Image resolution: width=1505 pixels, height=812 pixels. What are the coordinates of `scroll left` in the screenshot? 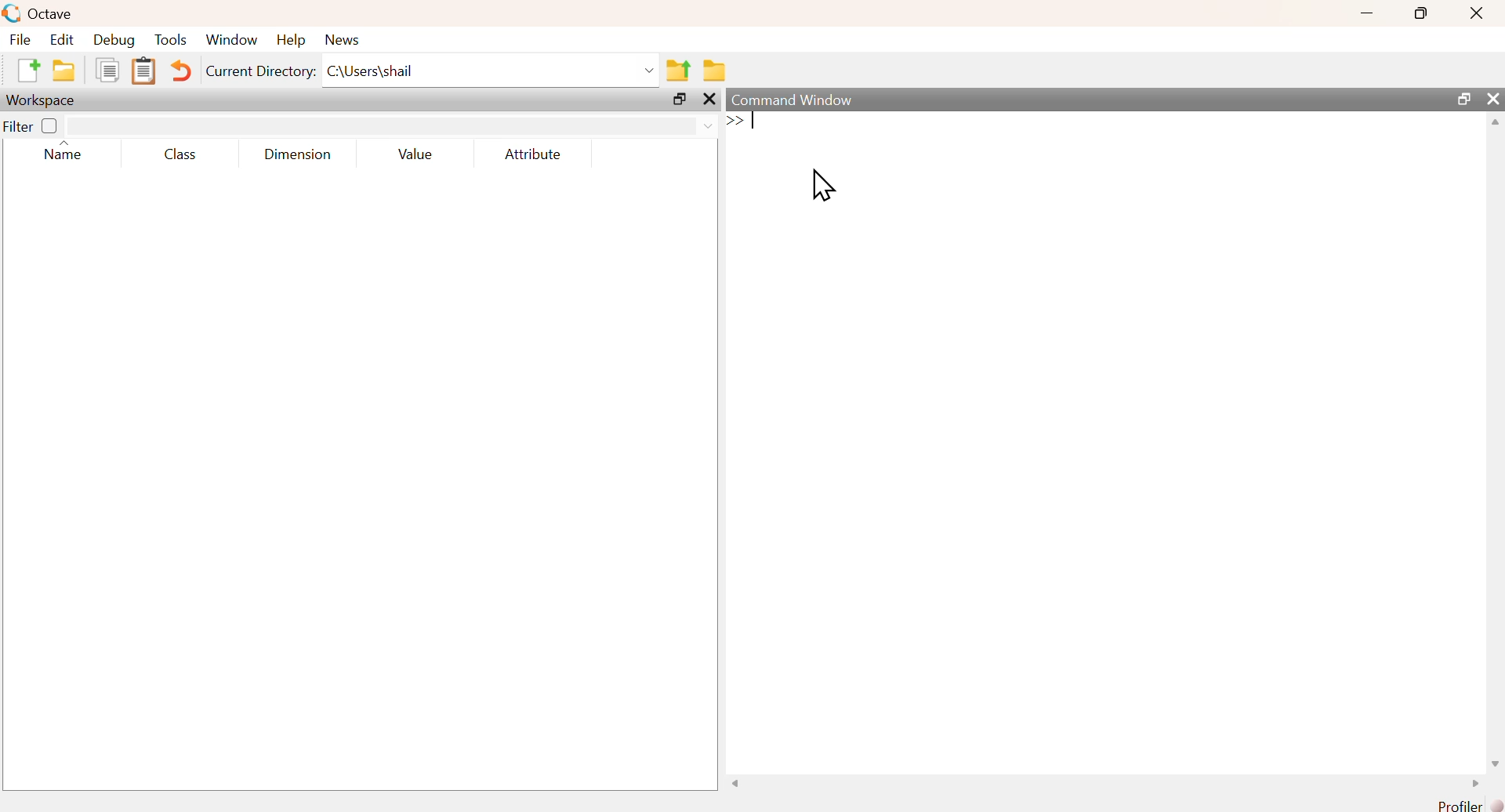 It's located at (738, 782).